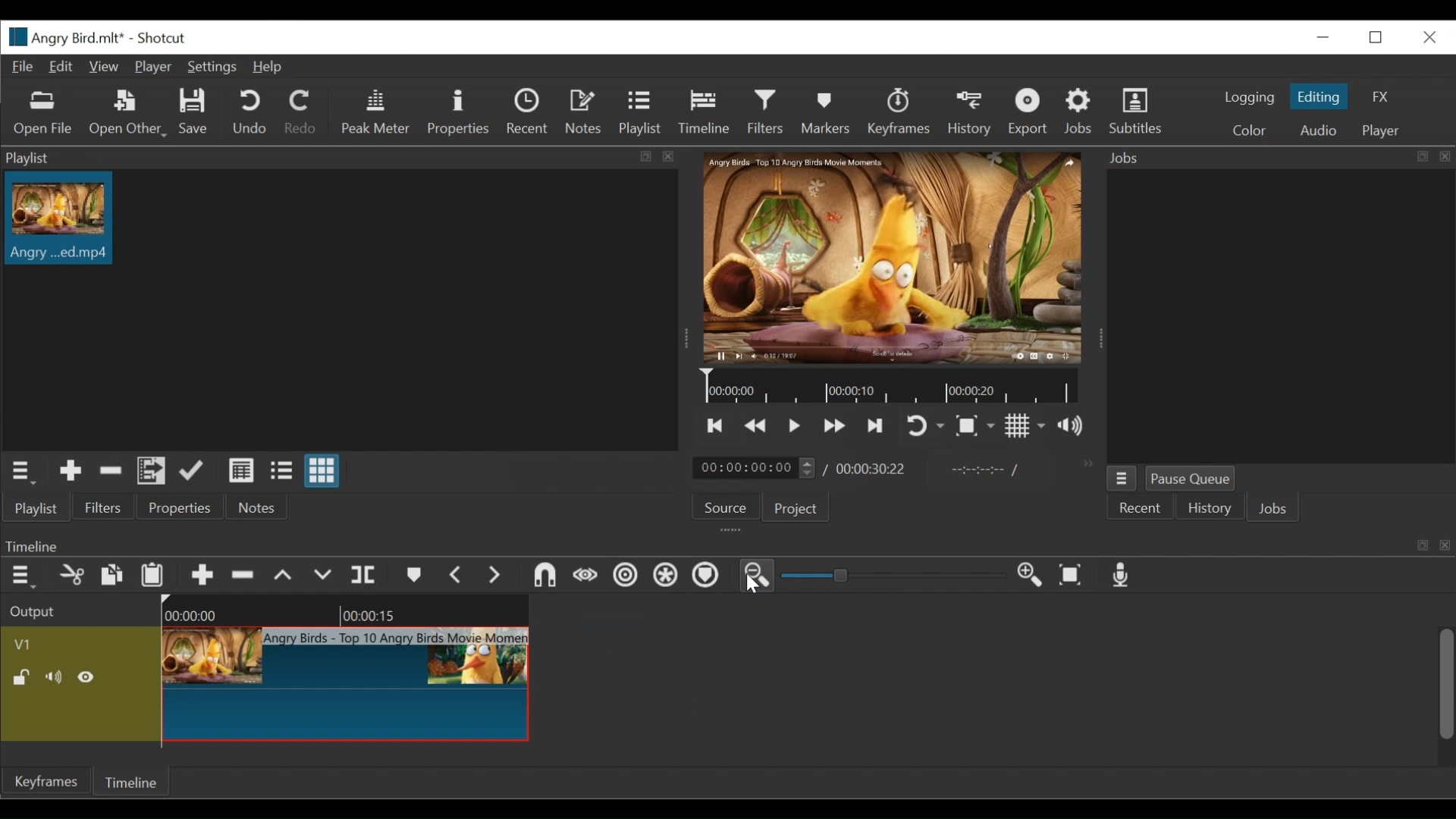 The image size is (1456, 819). Describe the element at coordinates (794, 426) in the screenshot. I see `Toggle play or pause (space)` at that location.